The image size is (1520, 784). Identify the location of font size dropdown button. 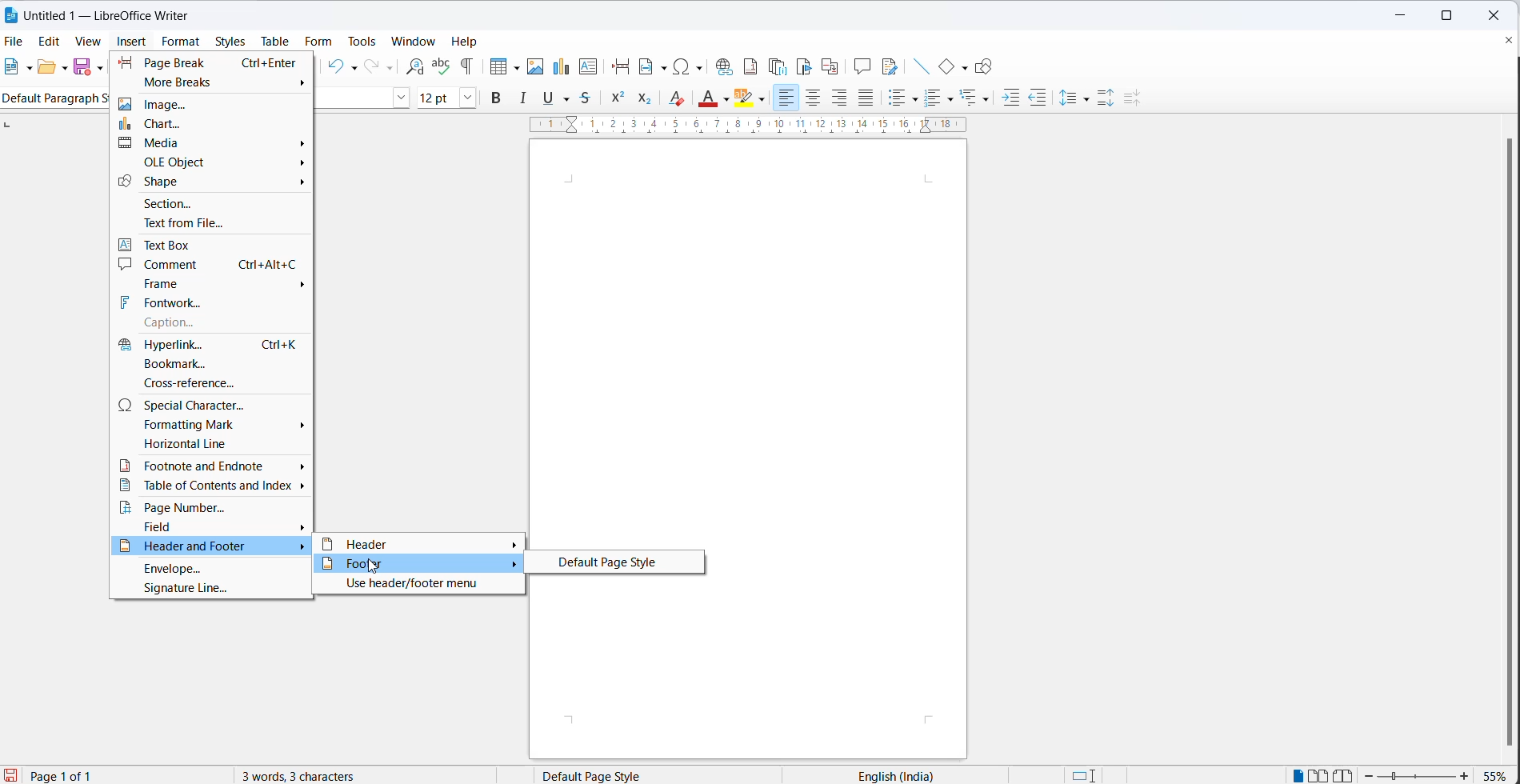
(467, 98).